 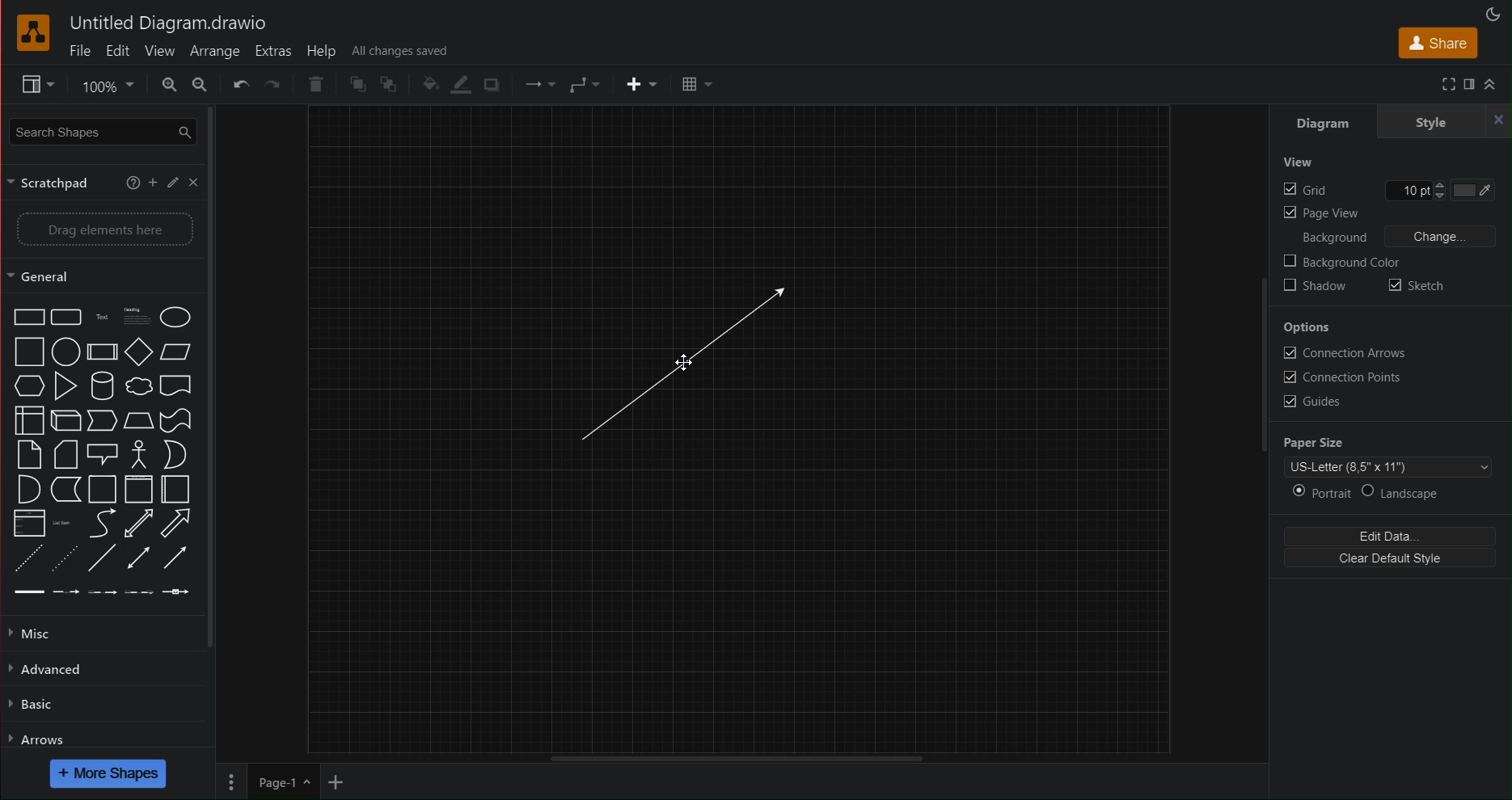 I want to click on Landscape, so click(x=1403, y=493).